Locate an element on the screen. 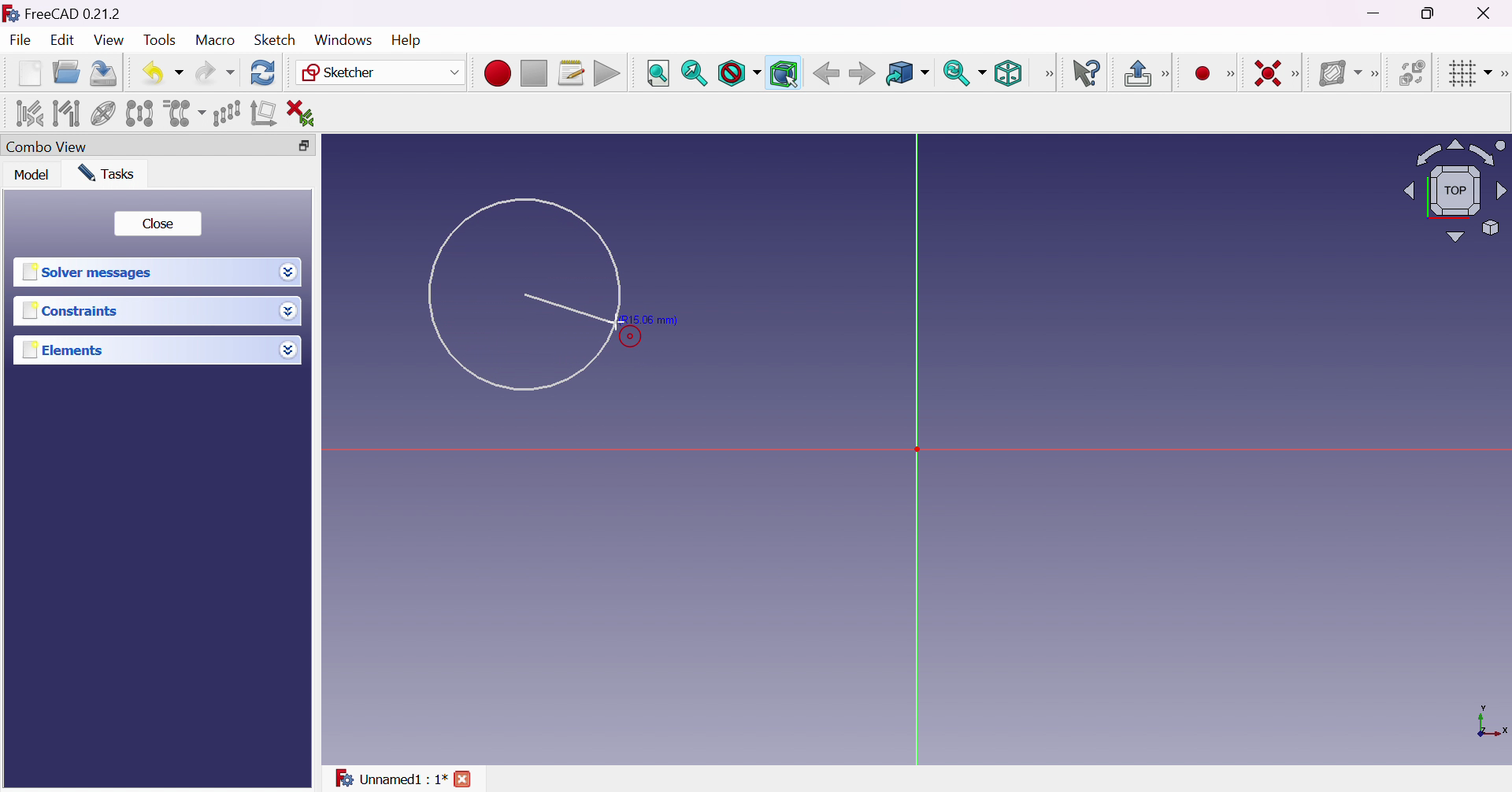 The height and width of the screenshot is (792, 1512). Drop down is located at coordinates (289, 272).